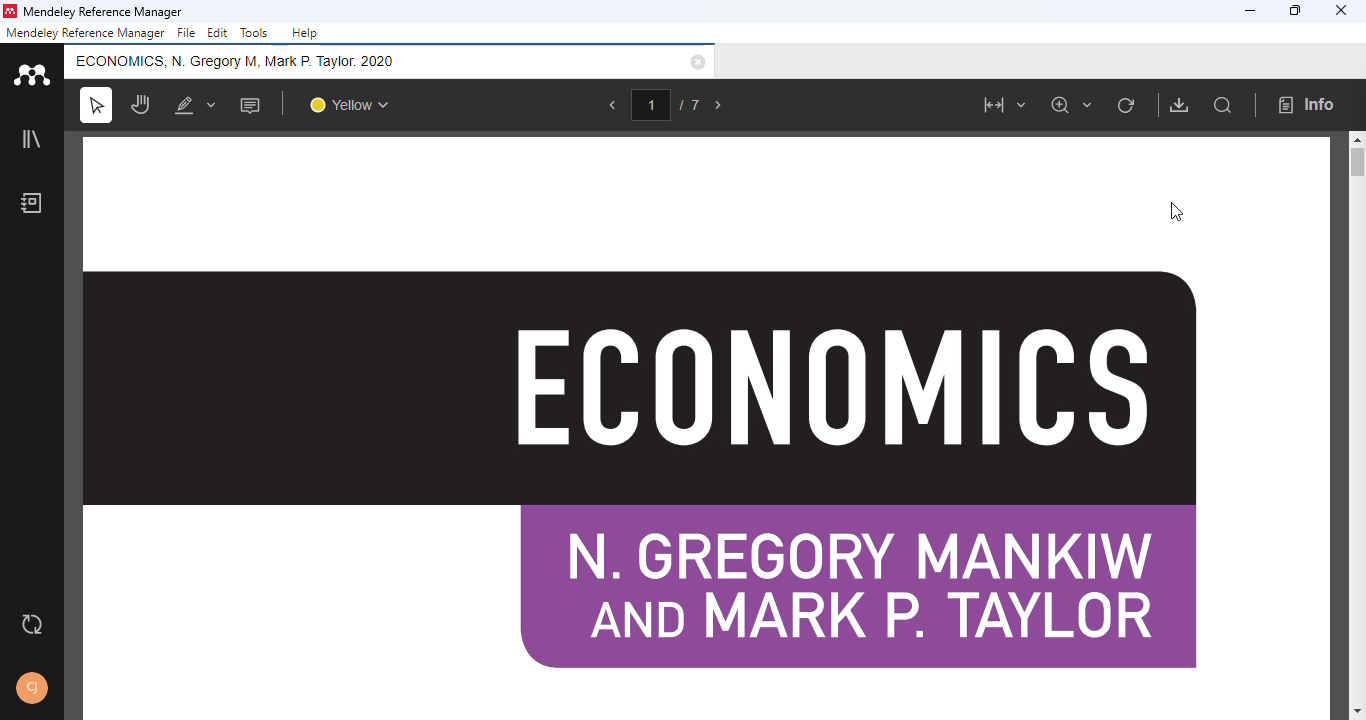  Describe the element at coordinates (305, 33) in the screenshot. I see `help` at that location.